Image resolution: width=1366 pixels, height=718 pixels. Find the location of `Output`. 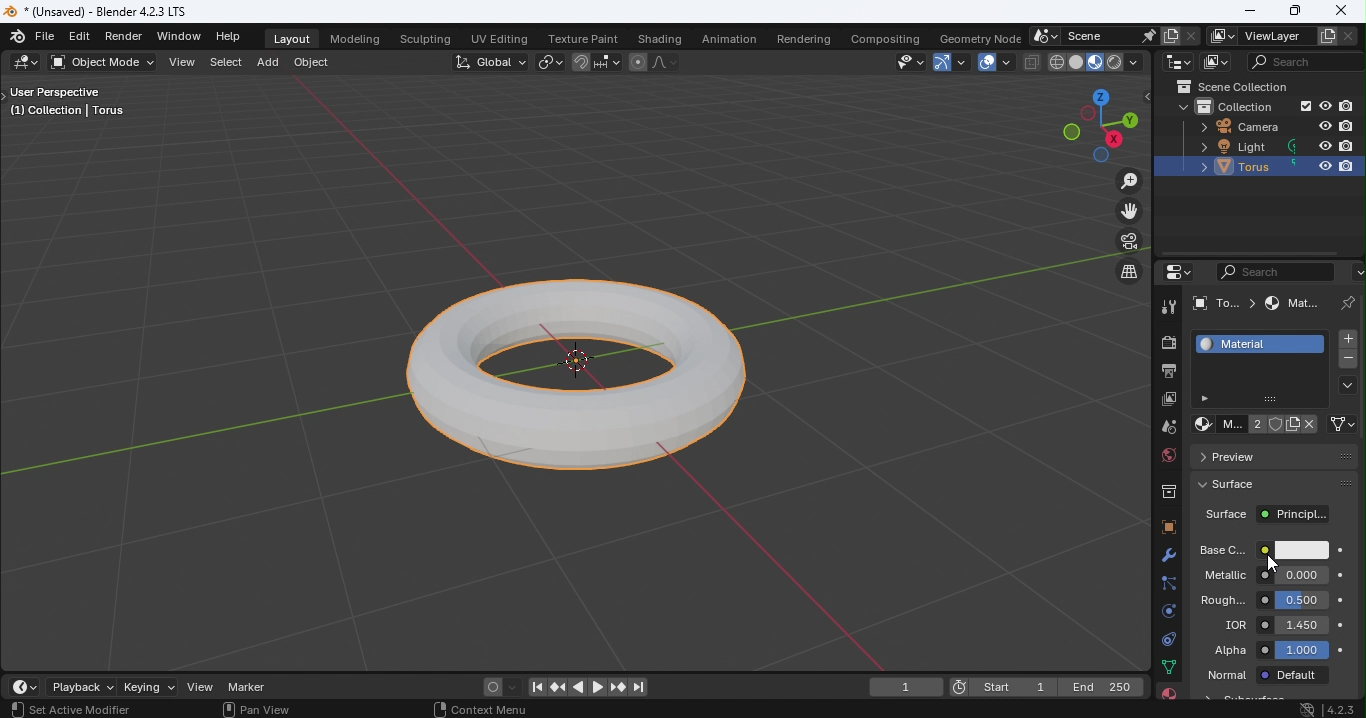

Output is located at coordinates (1167, 370).